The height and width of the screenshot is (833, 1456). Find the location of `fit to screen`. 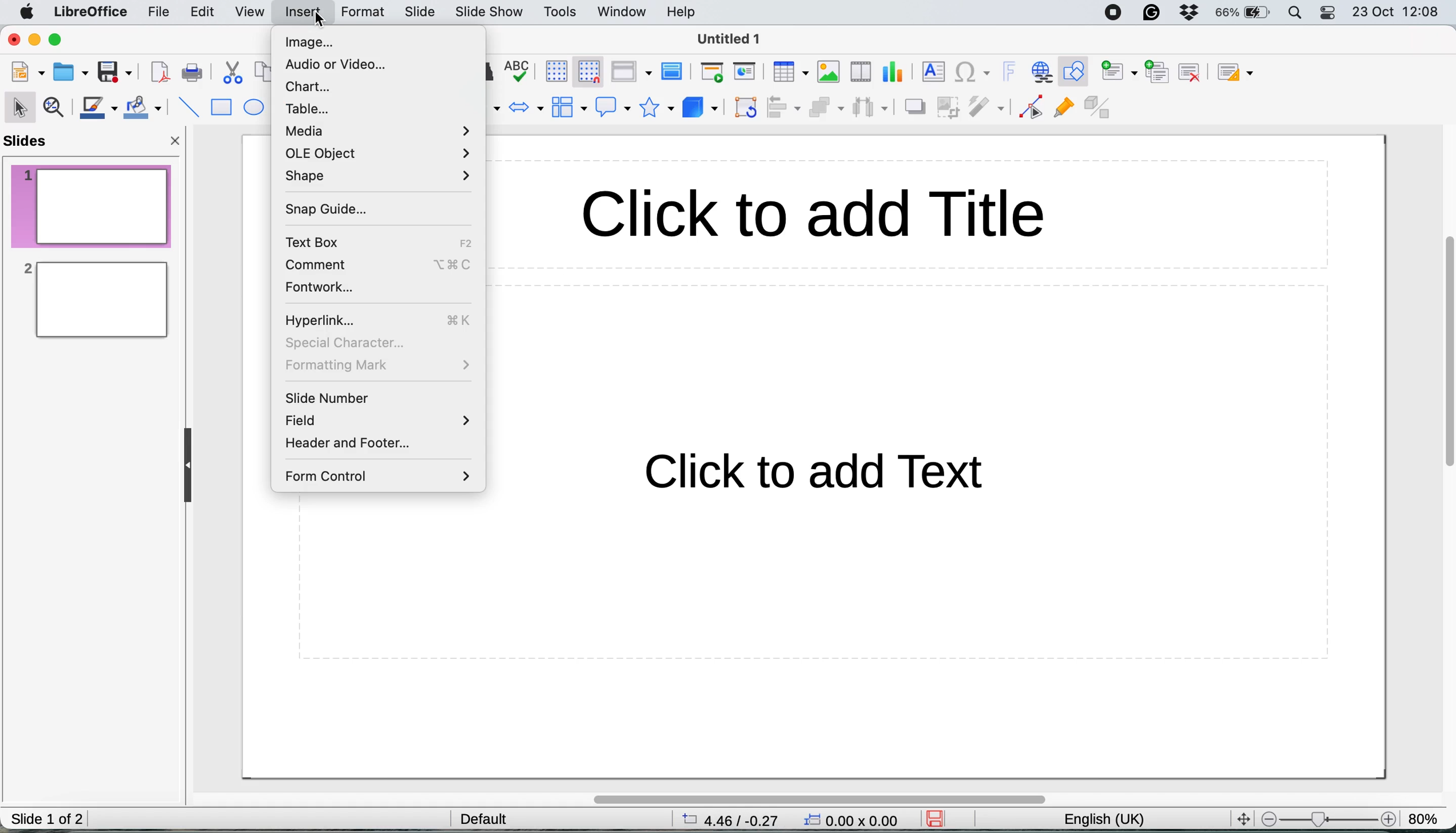

fit to screen is located at coordinates (1240, 818).